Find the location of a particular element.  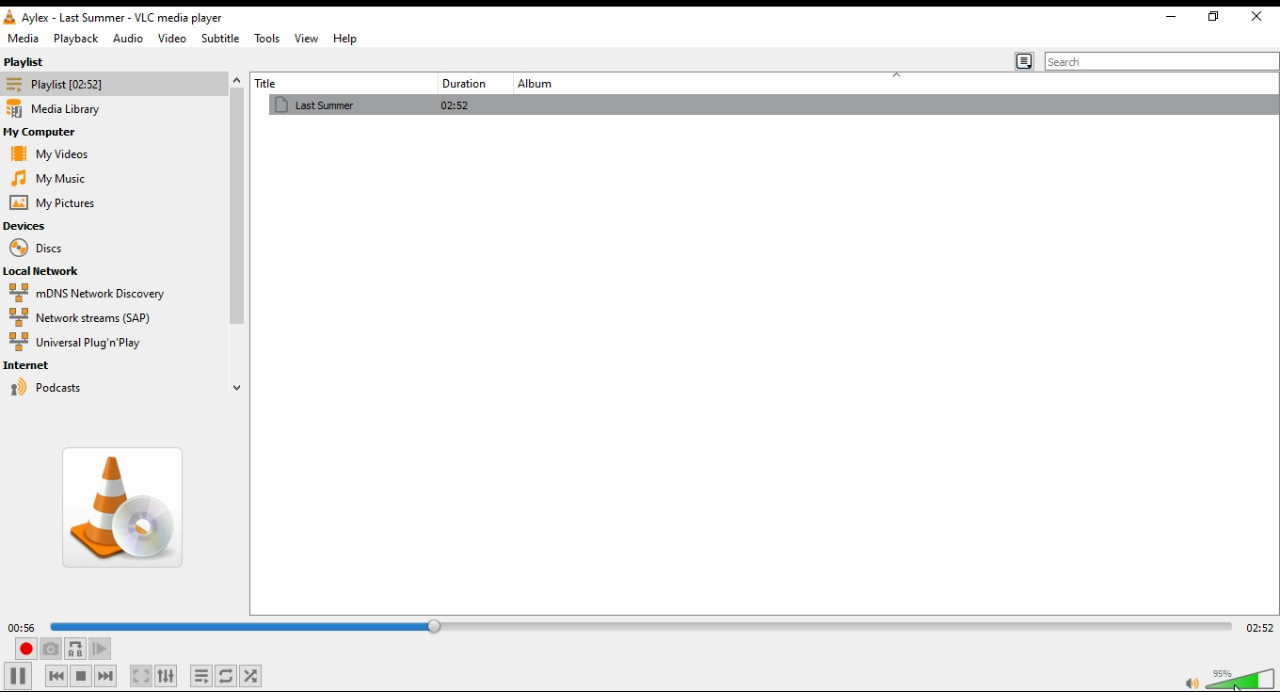

seek bar is located at coordinates (636, 626).